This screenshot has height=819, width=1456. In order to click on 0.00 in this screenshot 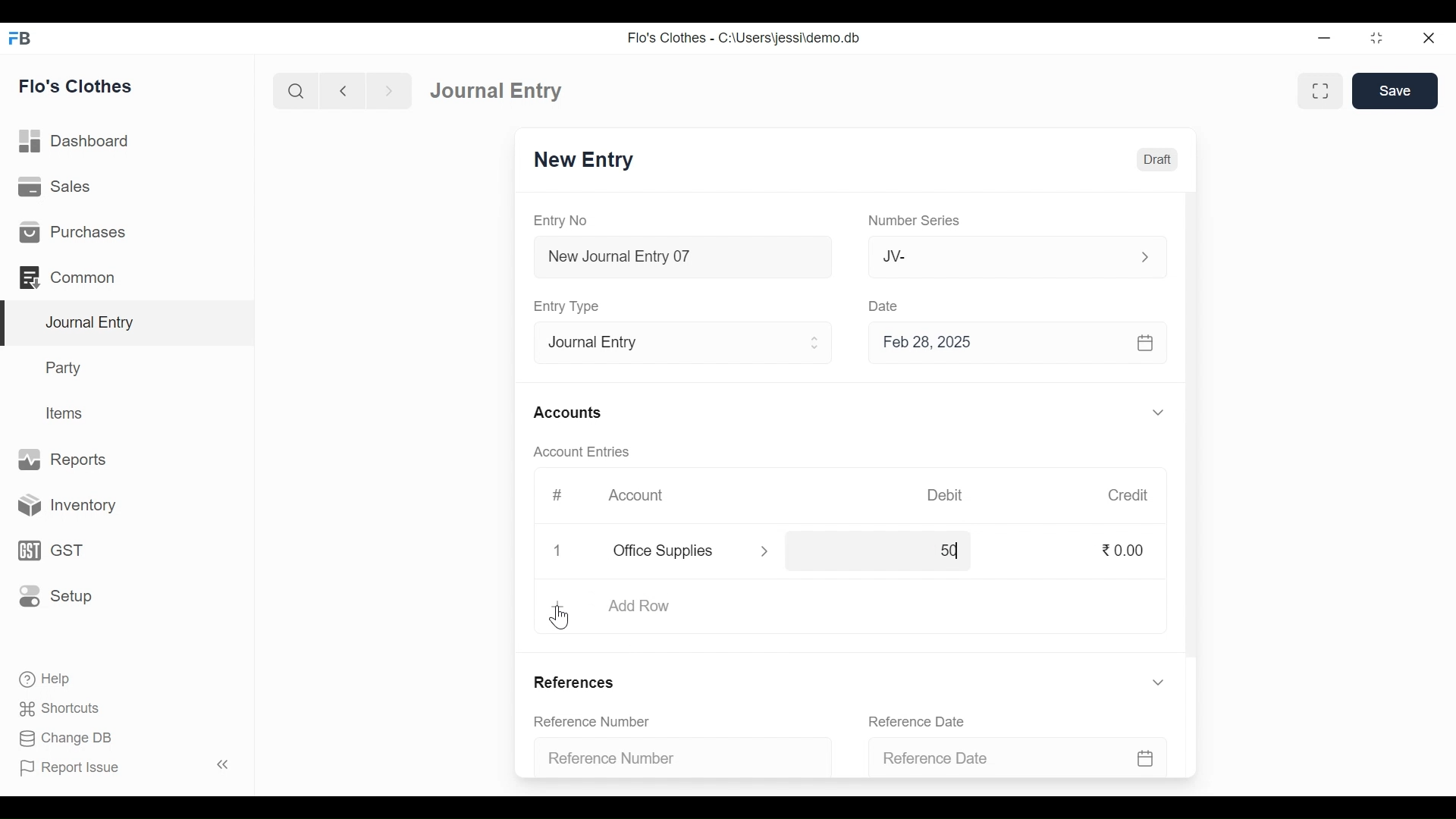, I will do `click(1126, 551)`.